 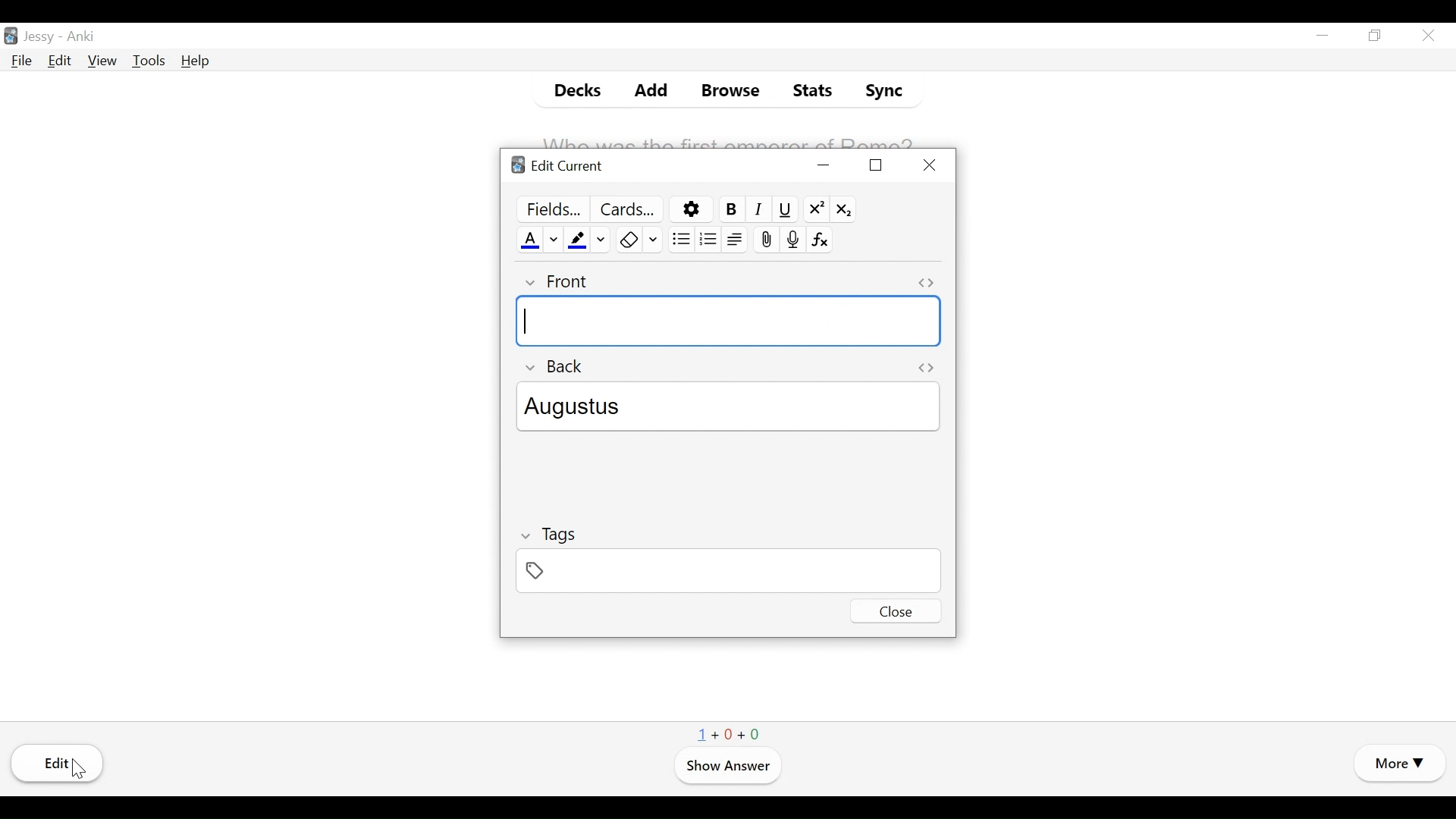 I want to click on Stats, so click(x=811, y=91).